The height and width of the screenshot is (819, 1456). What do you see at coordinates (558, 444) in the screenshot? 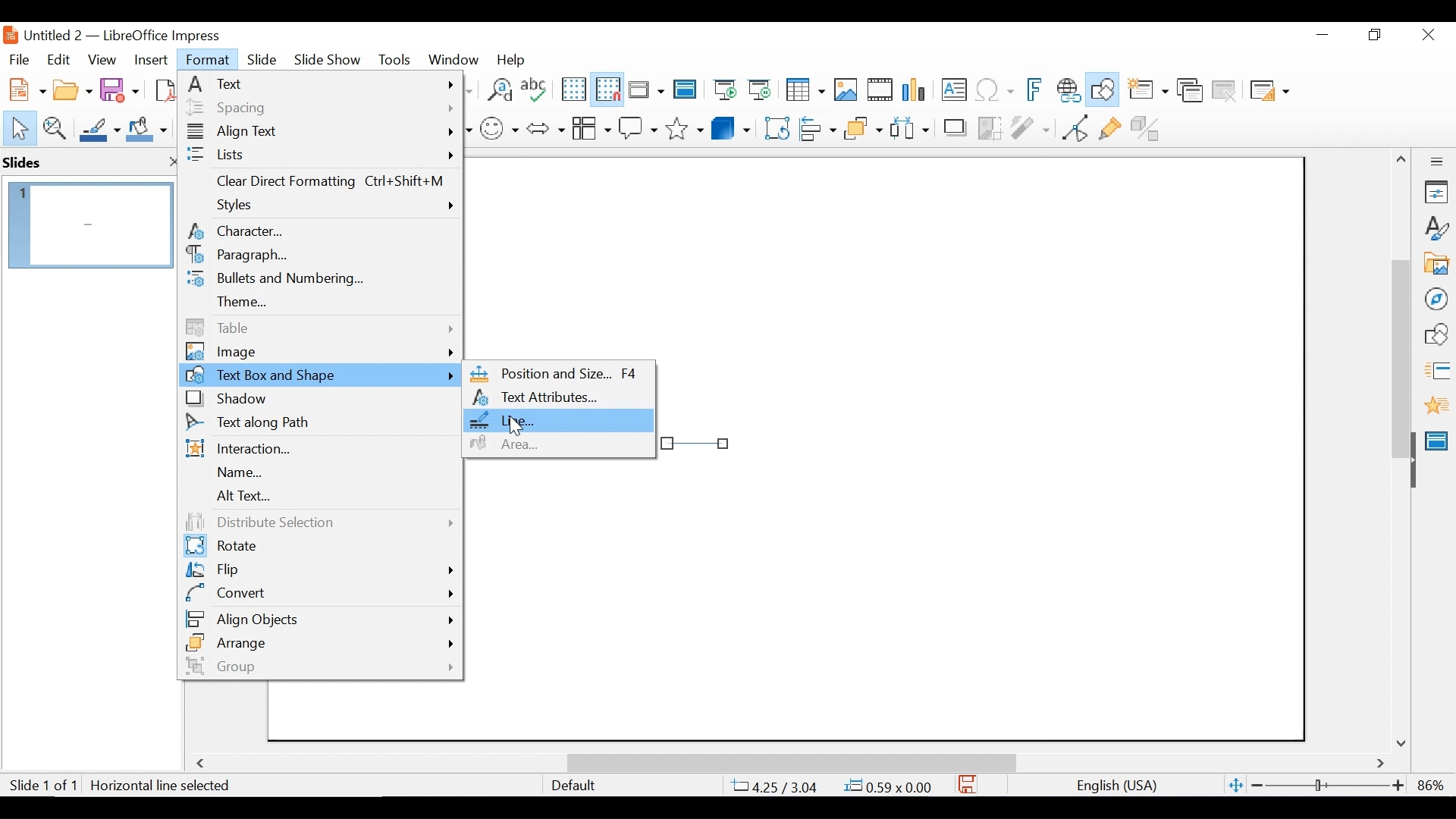
I see `Area` at bounding box center [558, 444].